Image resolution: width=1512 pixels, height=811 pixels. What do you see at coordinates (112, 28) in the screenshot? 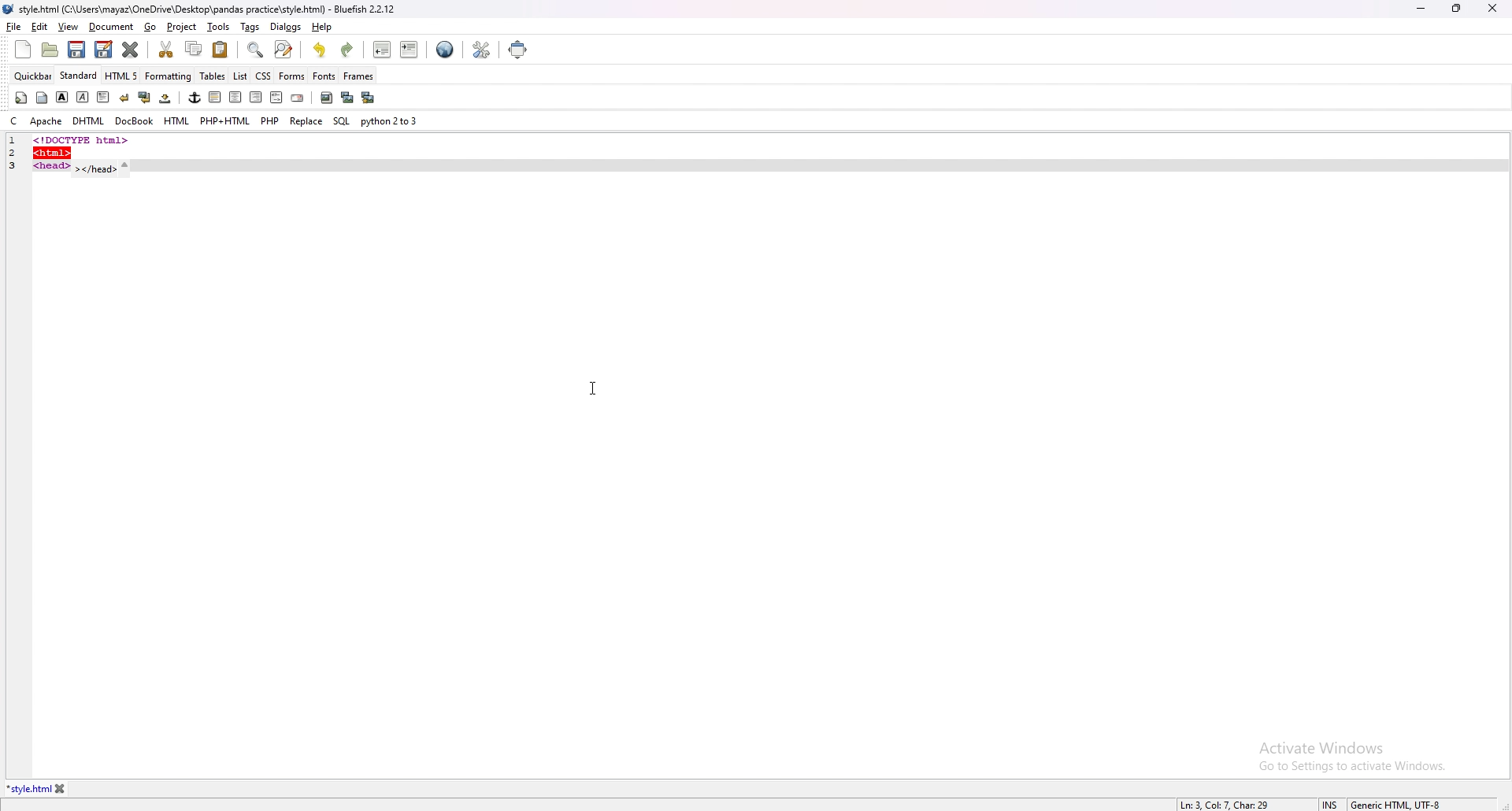
I see `document` at bounding box center [112, 28].